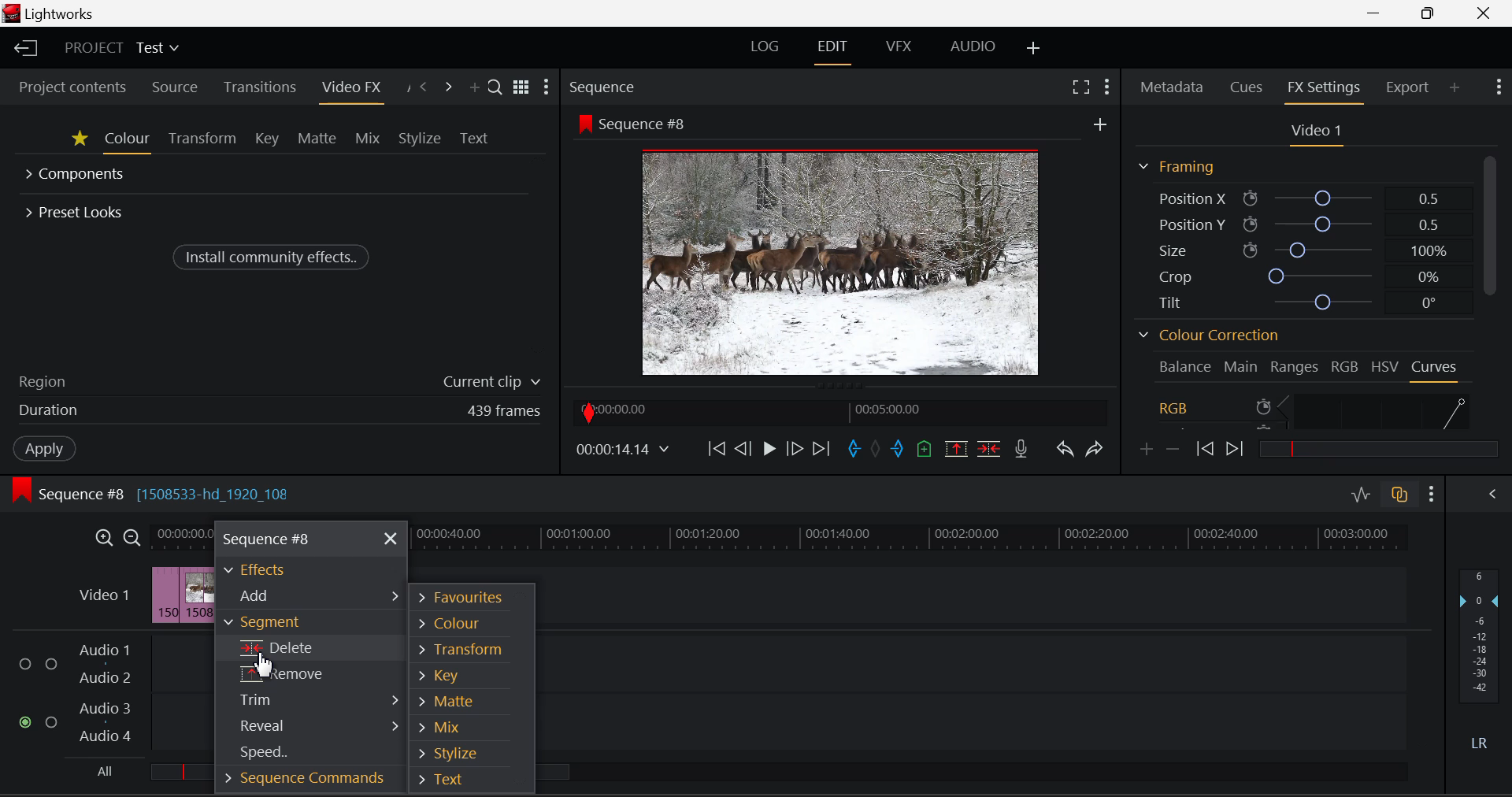  I want to click on Colour, so click(128, 141).